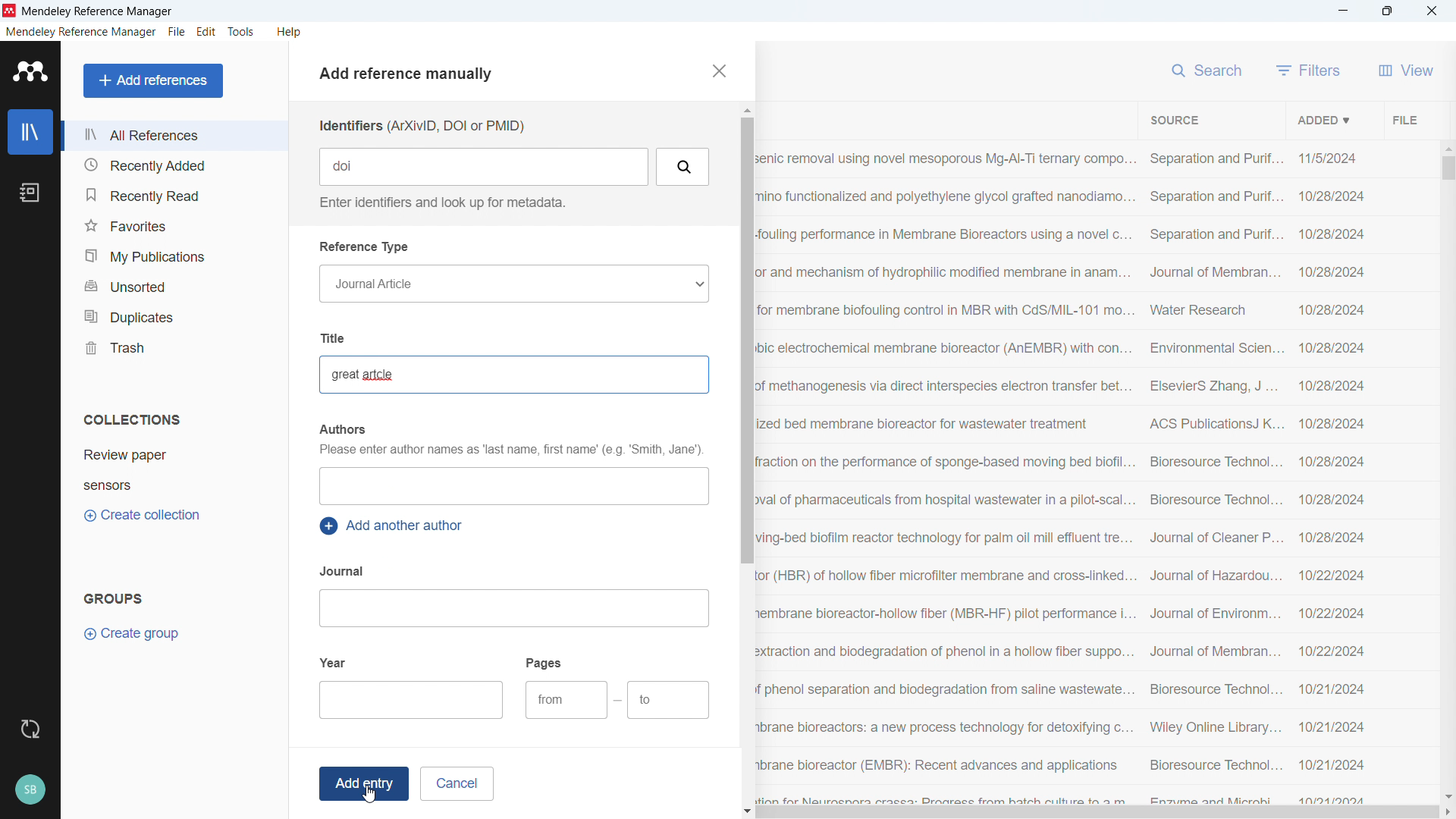  What do you see at coordinates (114, 598) in the screenshot?
I see `Groups ` at bounding box center [114, 598].